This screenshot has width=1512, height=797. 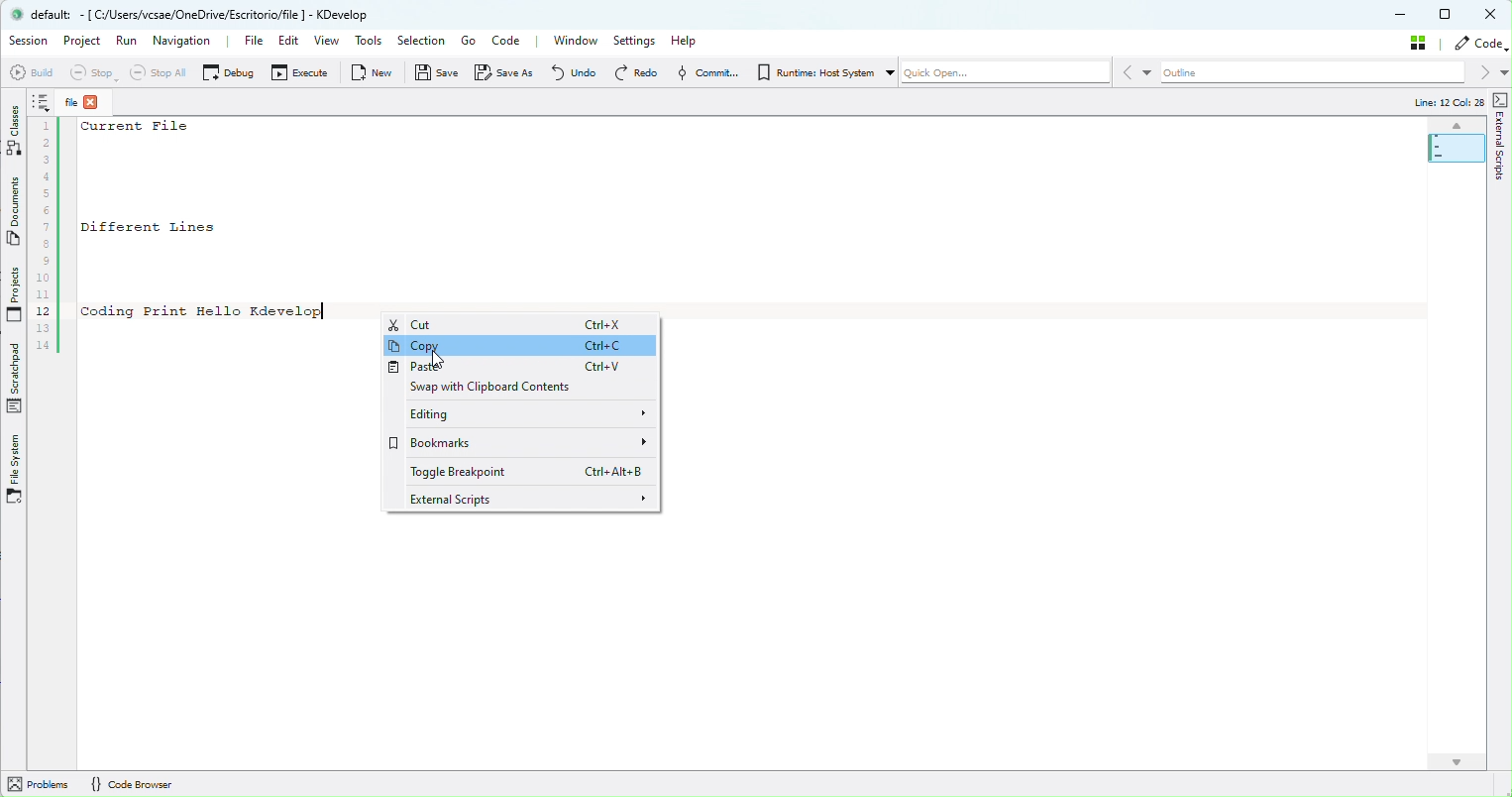 I want to click on Page Scroll Arrow, so click(x=1463, y=766).